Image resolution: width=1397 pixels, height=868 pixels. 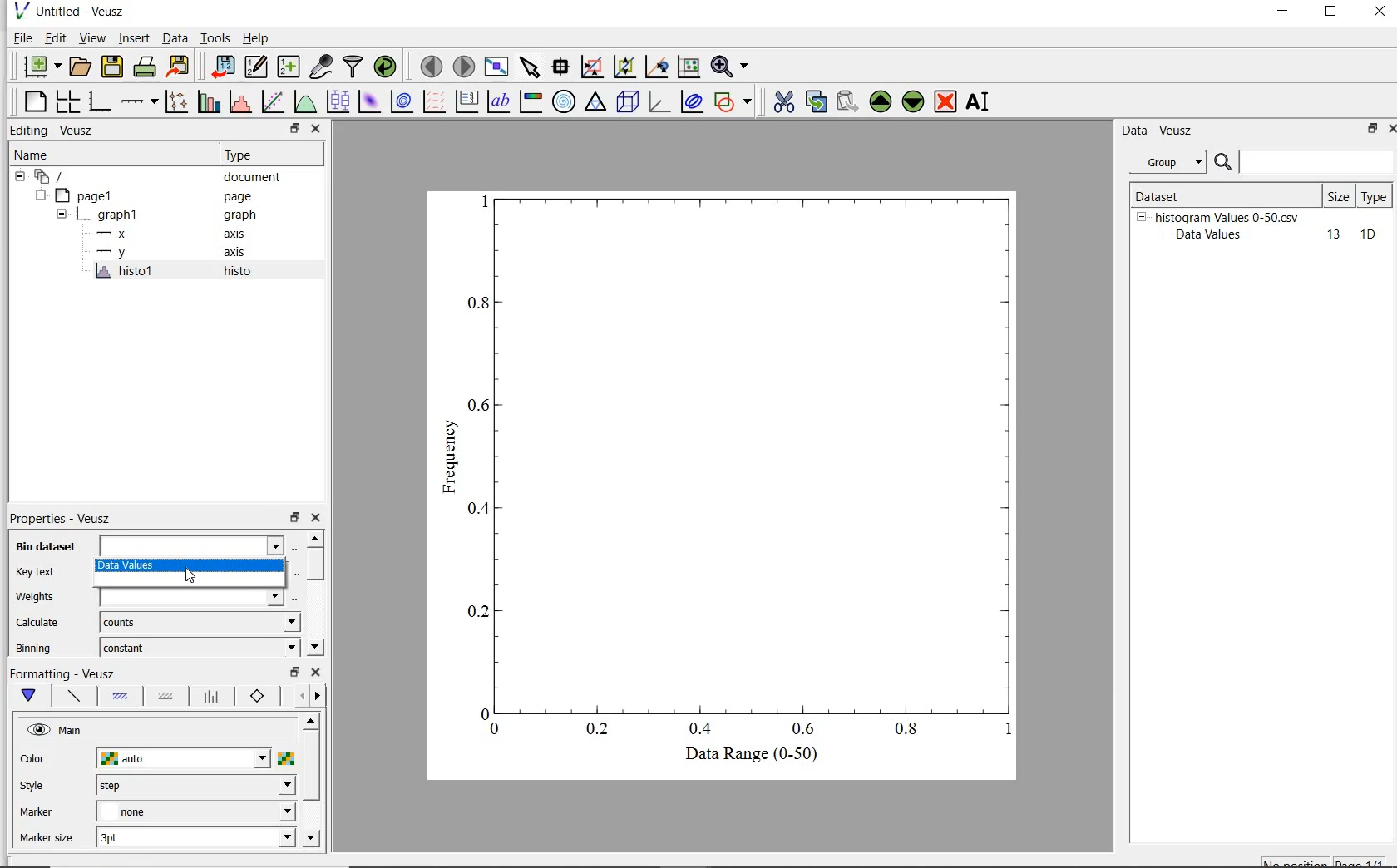 What do you see at coordinates (20, 11) in the screenshot?
I see `veusz logo` at bounding box center [20, 11].